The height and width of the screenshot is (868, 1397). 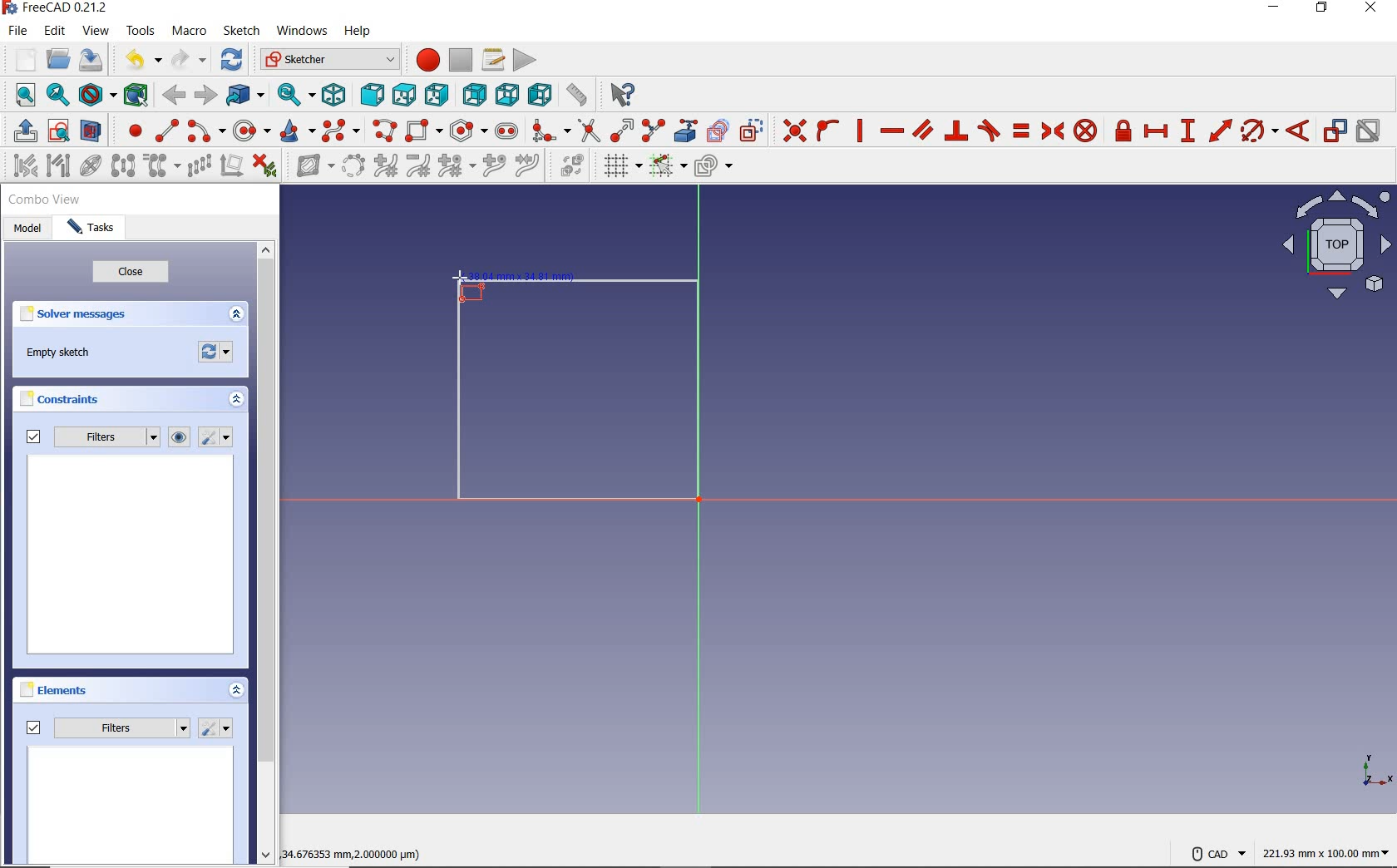 I want to click on constrain perpendicular, so click(x=956, y=131).